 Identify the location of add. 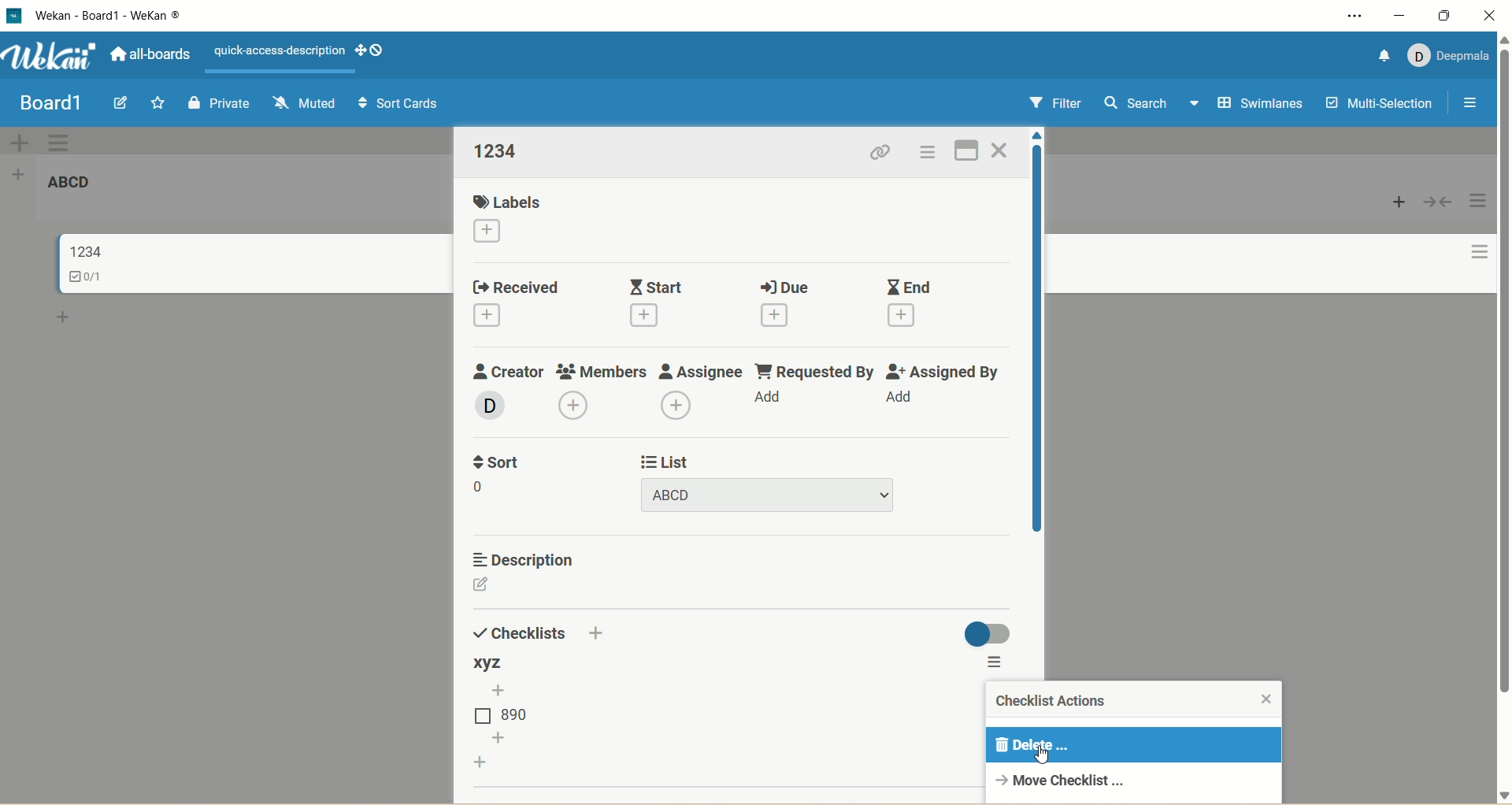
(785, 314).